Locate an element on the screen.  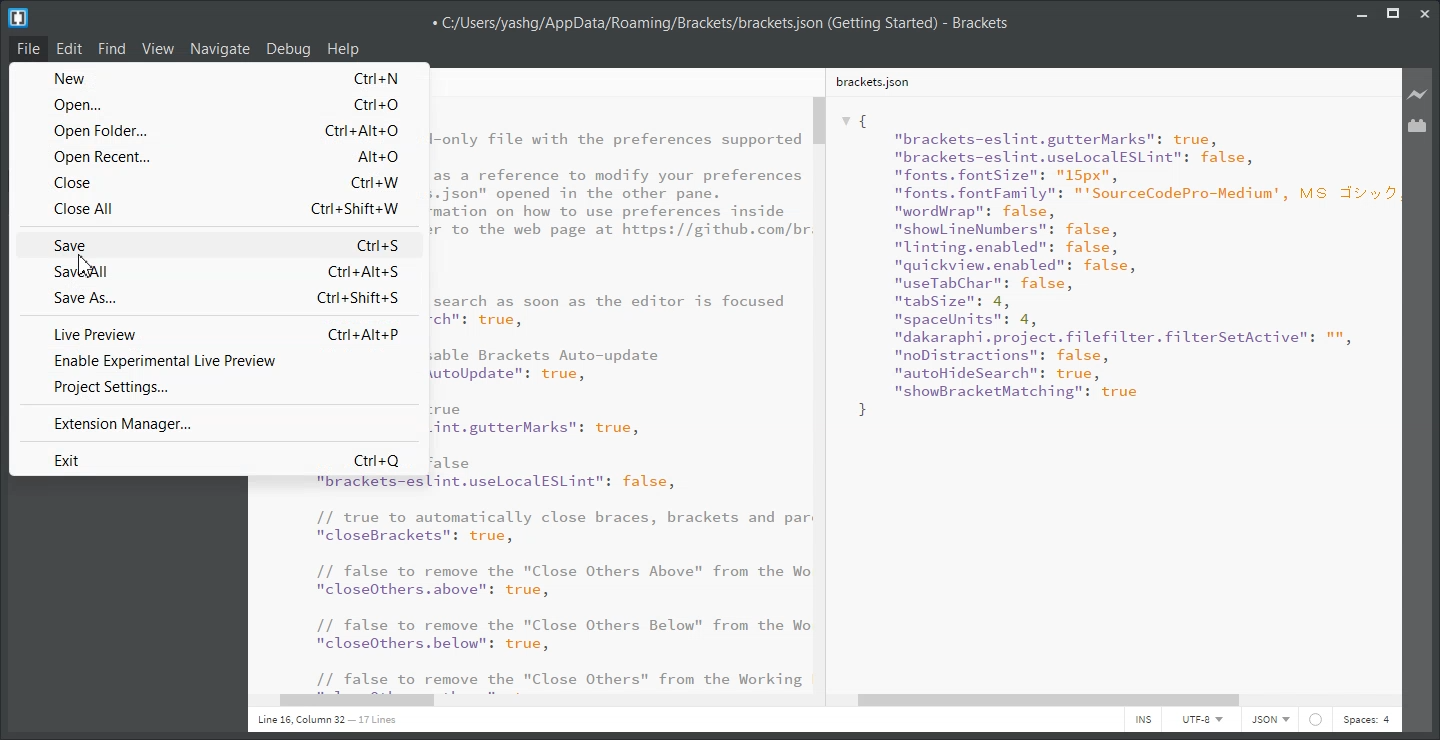
Icon is located at coordinates (1316, 720).